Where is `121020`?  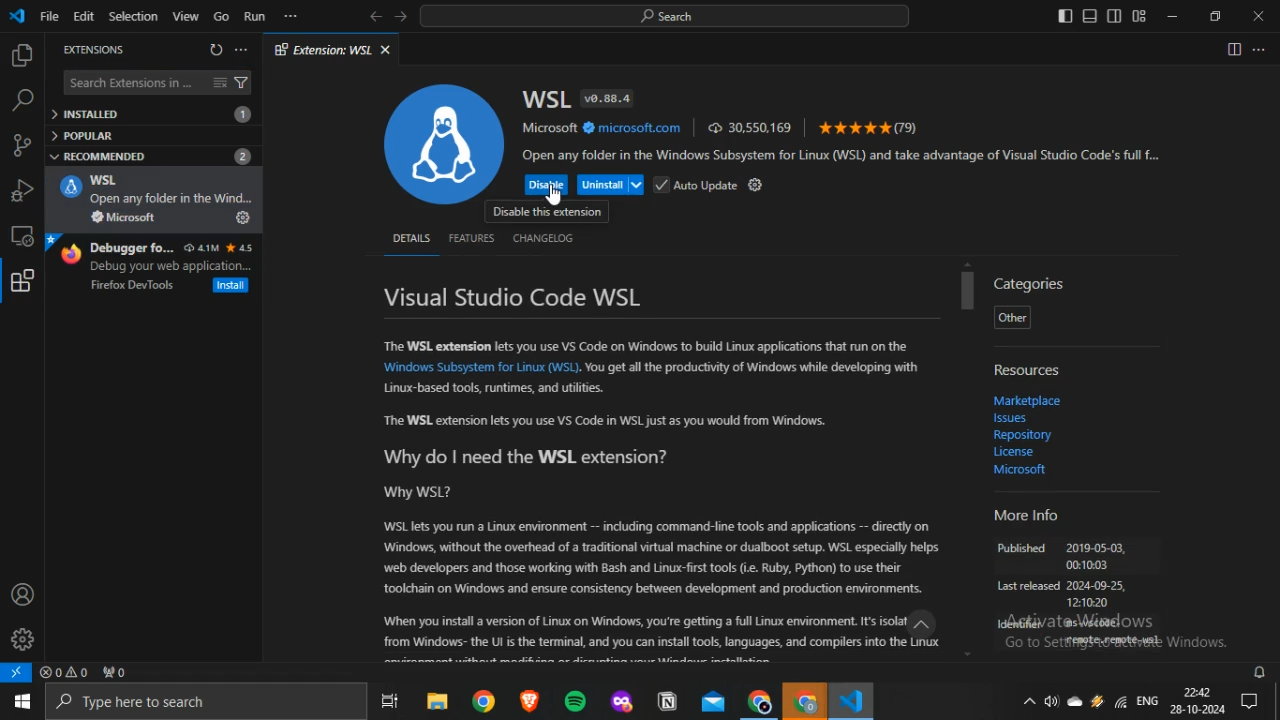
121020 is located at coordinates (1088, 604).